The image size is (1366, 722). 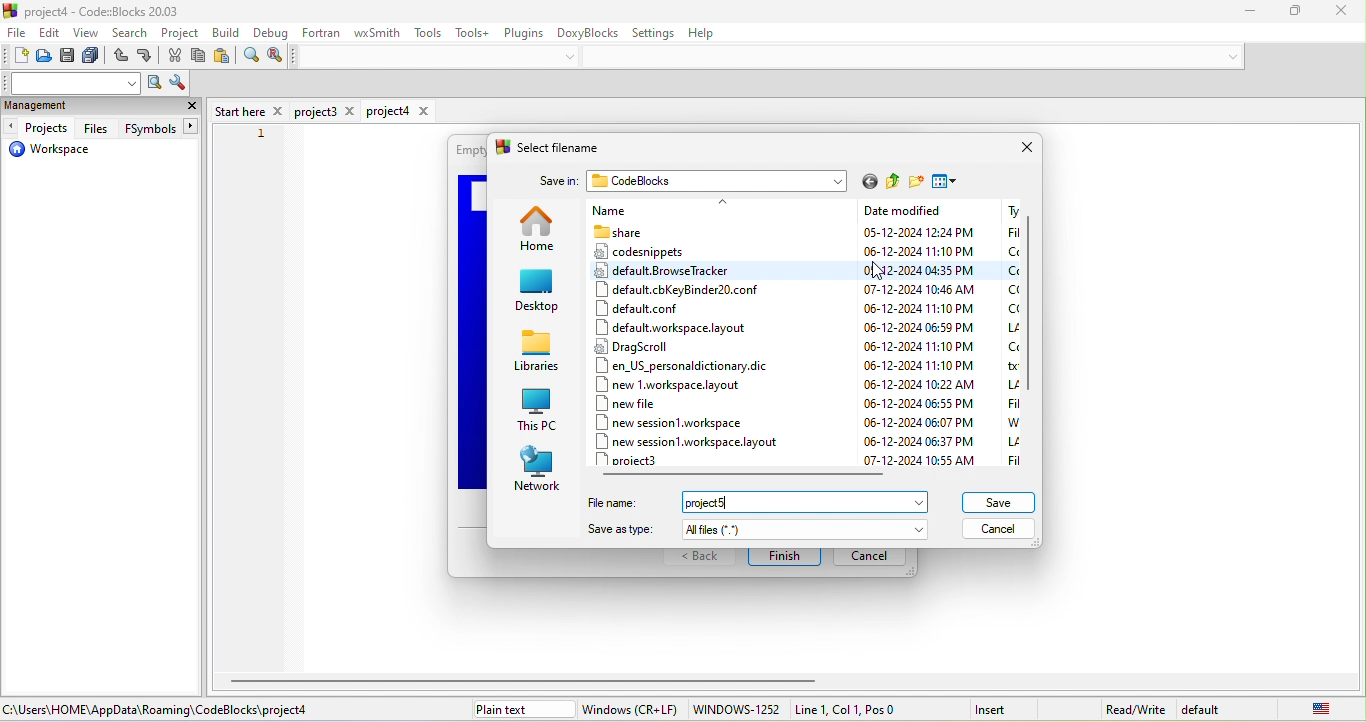 I want to click on default, so click(x=1208, y=708).